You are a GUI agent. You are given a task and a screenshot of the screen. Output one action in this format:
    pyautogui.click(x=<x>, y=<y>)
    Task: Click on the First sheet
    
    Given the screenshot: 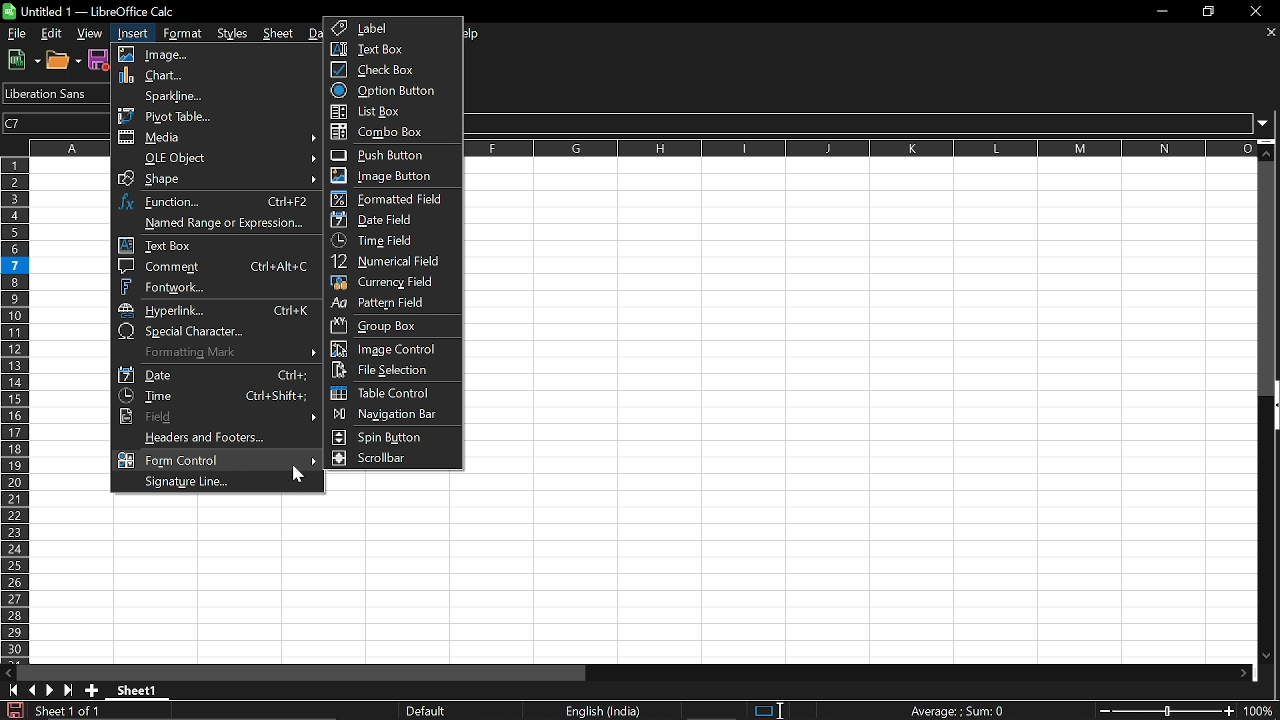 What is the action you would take?
    pyautogui.click(x=10, y=690)
    